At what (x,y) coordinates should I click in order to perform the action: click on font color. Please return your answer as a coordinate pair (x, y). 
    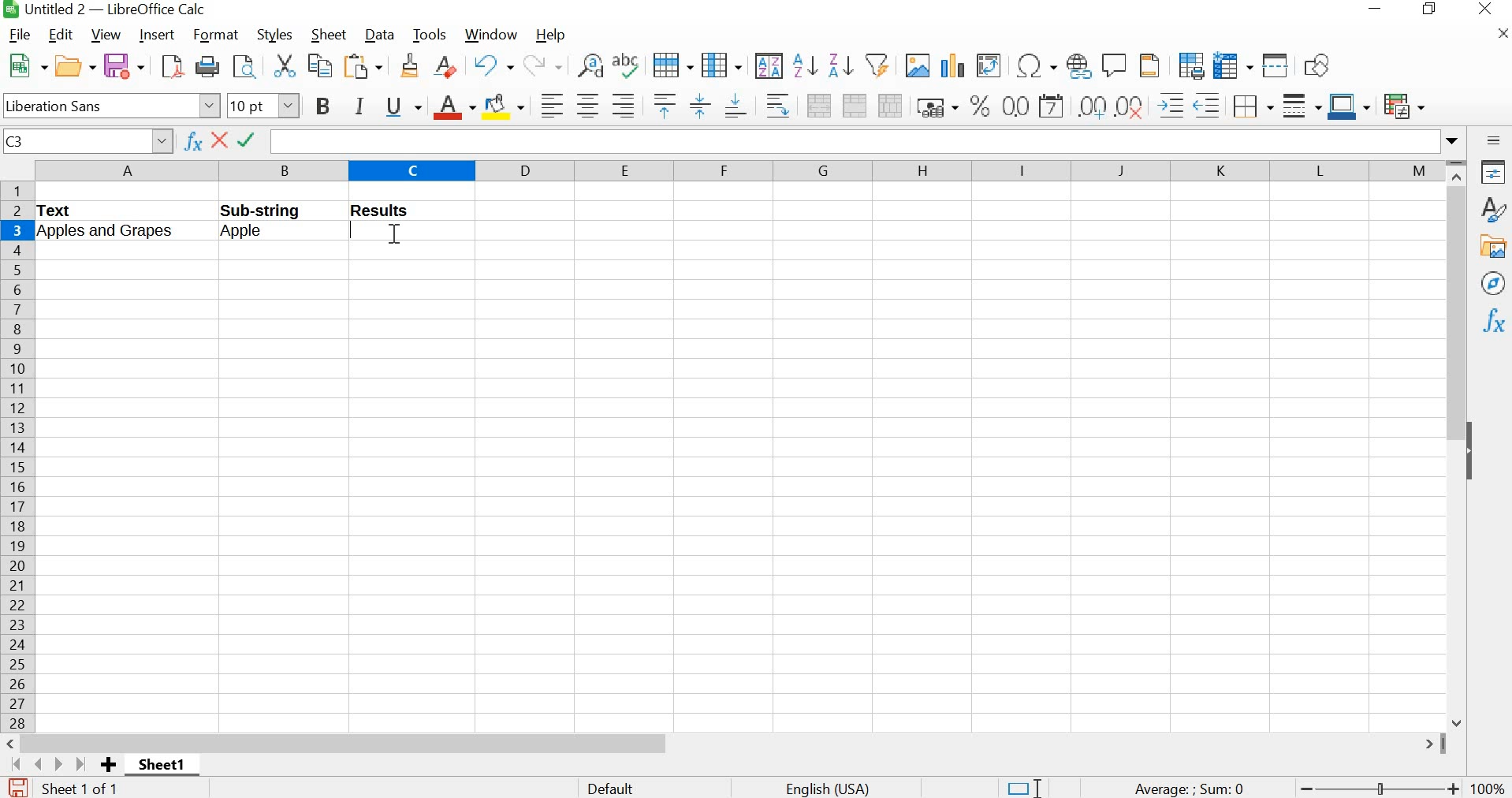
    Looking at the image, I should click on (452, 107).